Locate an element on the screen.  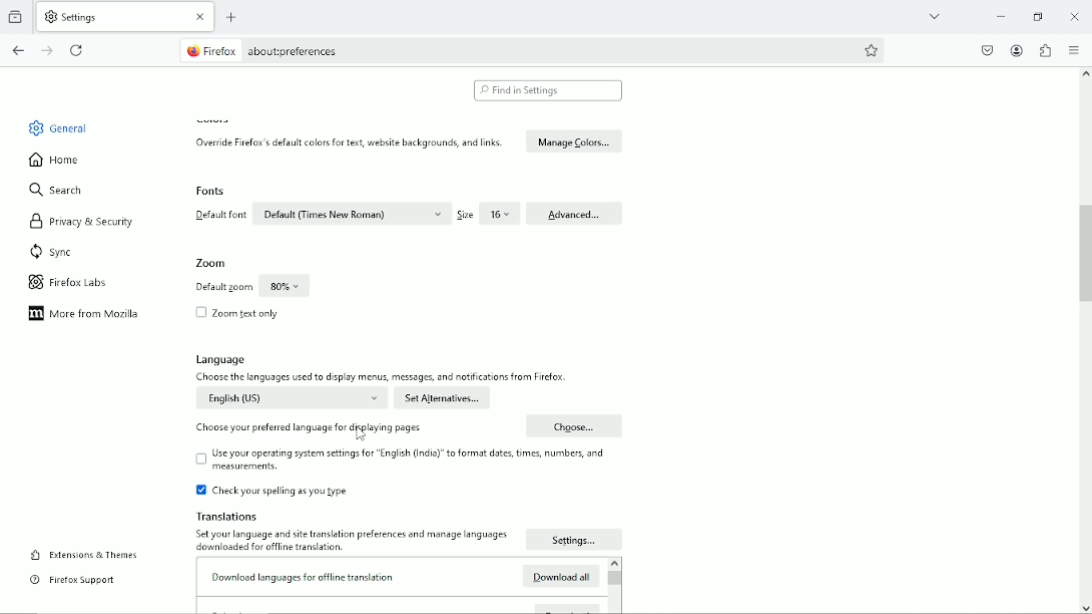
restore down is located at coordinates (1039, 16).